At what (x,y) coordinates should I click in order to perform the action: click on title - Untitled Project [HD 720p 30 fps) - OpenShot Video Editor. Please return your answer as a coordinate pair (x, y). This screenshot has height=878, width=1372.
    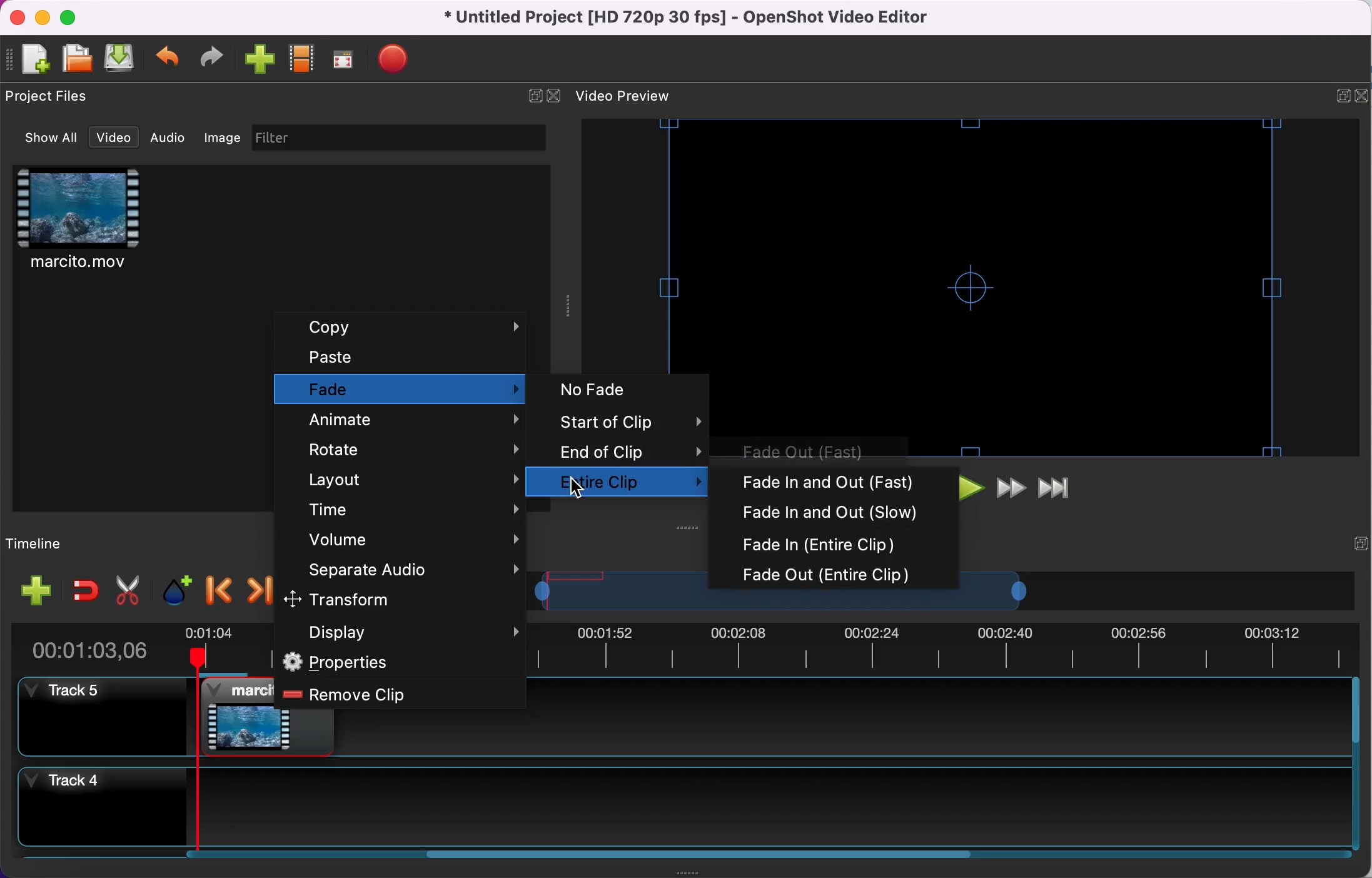
    Looking at the image, I should click on (692, 18).